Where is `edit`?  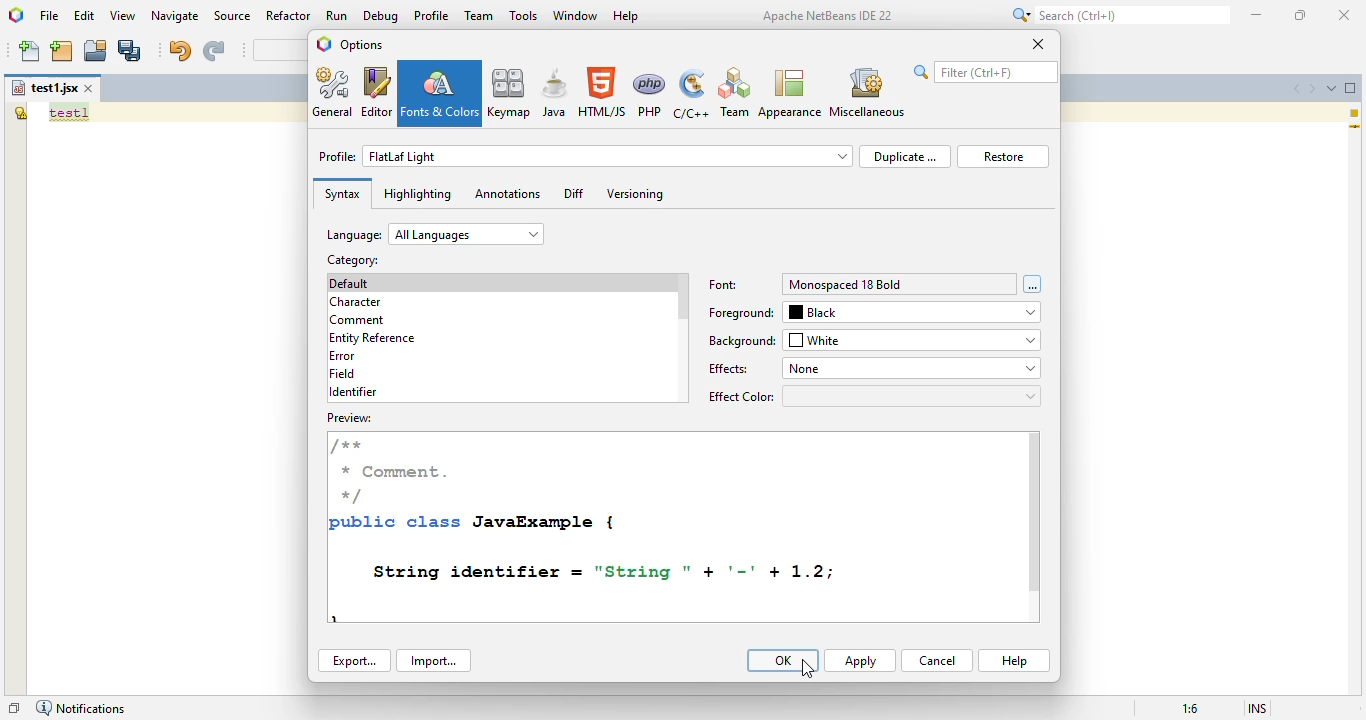
edit is located at coordinates (85, 15).